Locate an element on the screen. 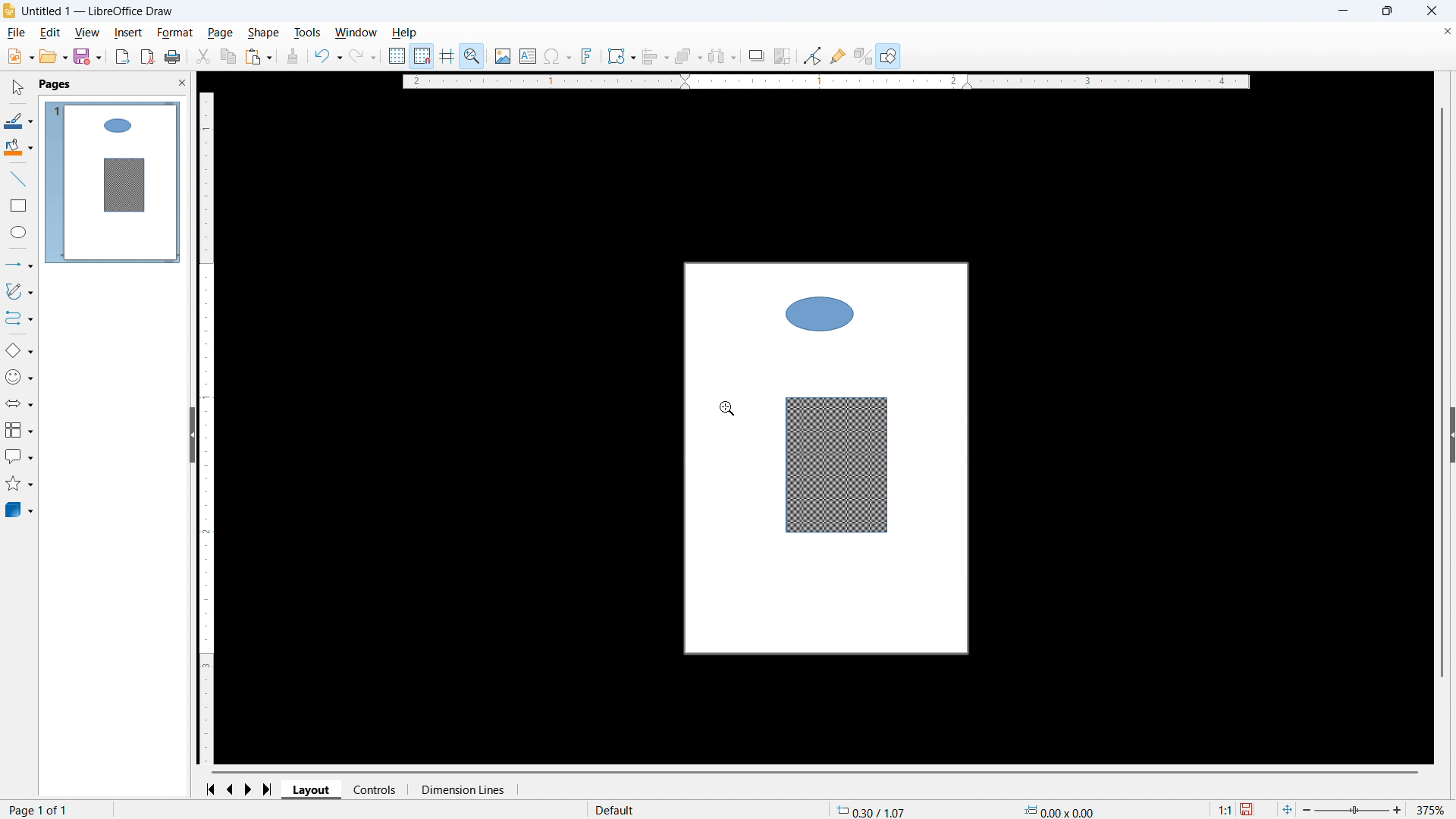 The image size is (1456, 819). Clone formatting  is located at coordinates (293, 56).